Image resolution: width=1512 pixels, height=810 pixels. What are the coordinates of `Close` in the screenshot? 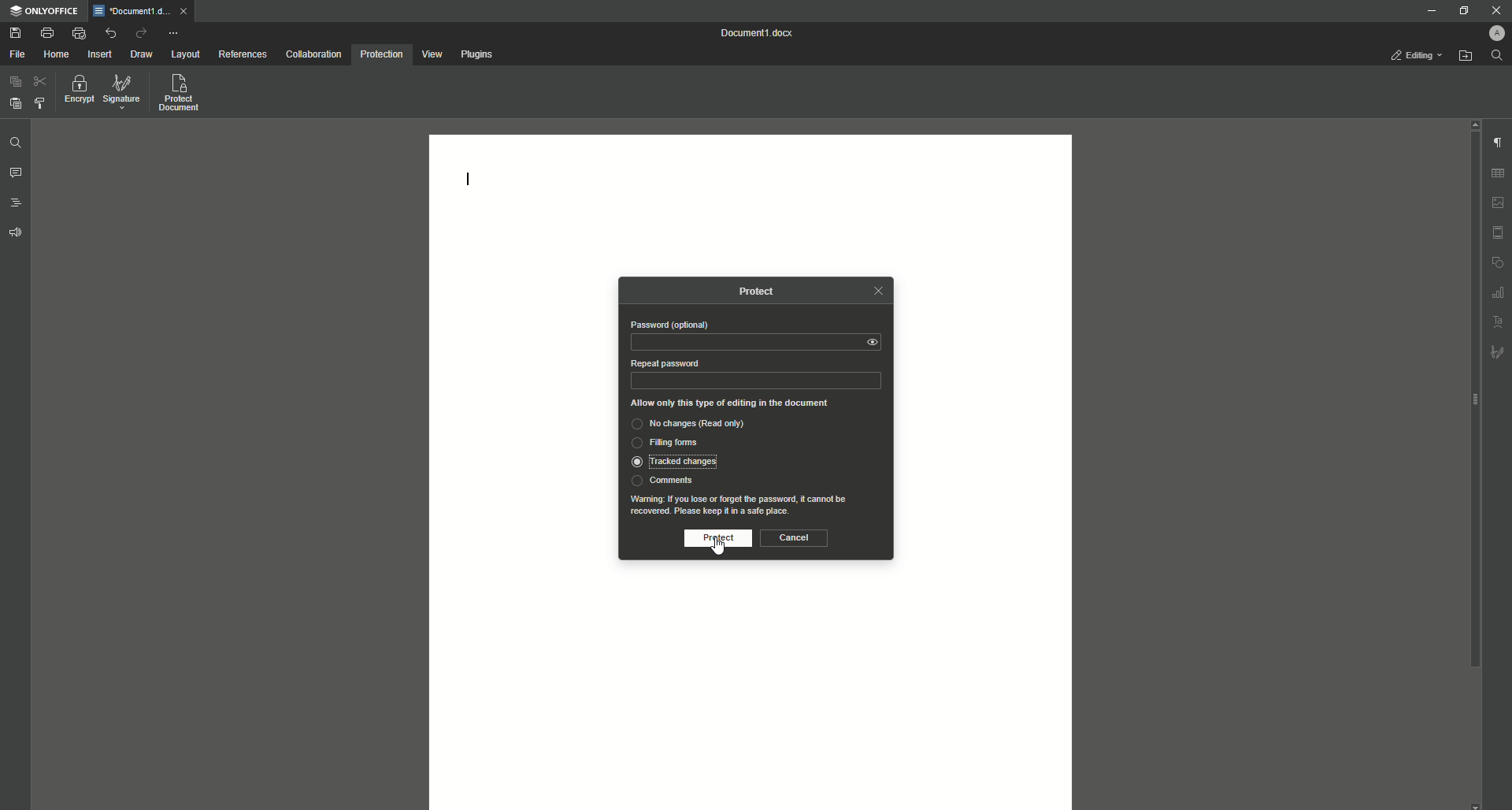 It's located at (1494, 10).